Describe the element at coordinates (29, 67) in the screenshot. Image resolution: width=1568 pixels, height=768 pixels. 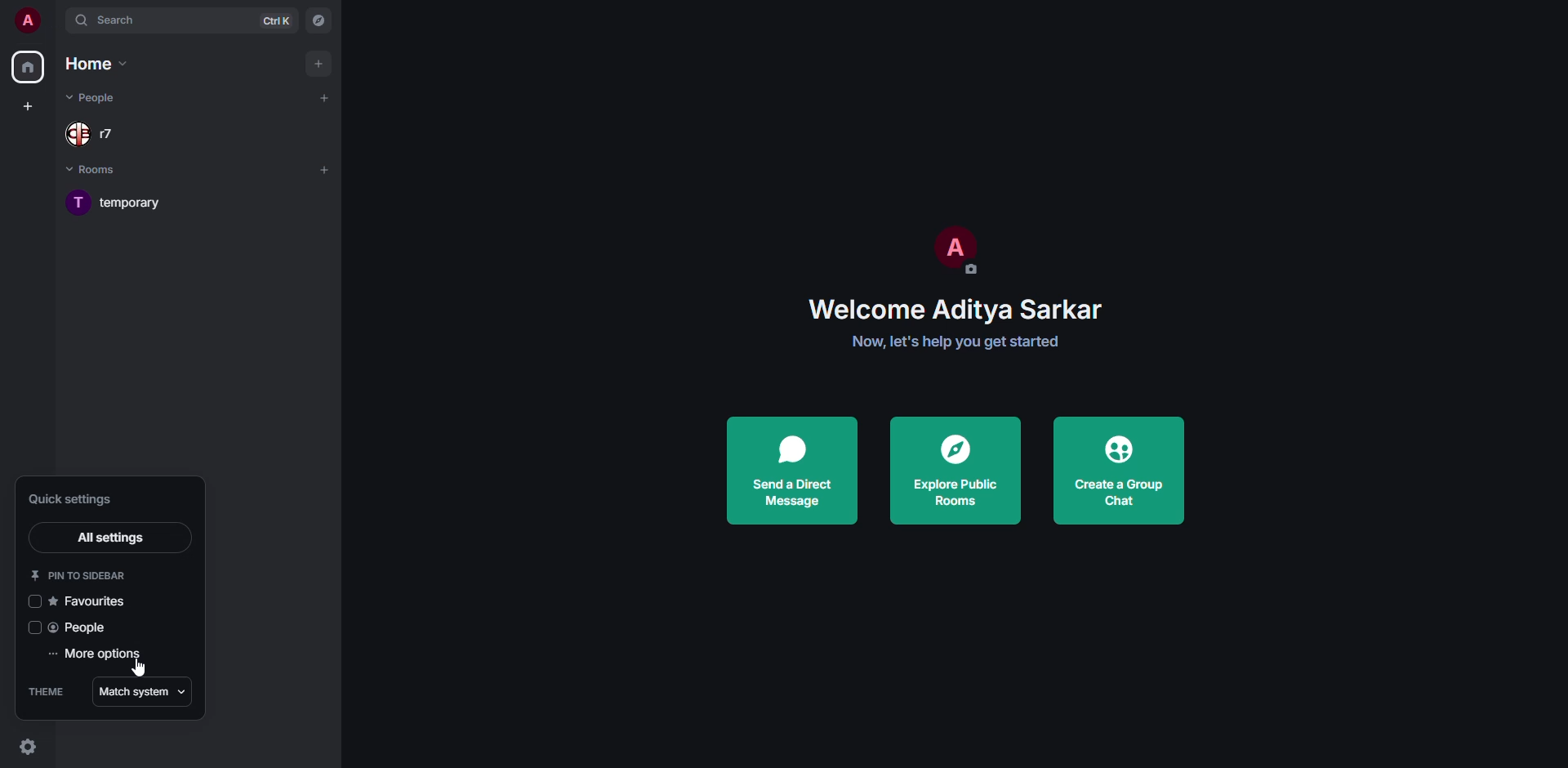
I see `home` at that location.